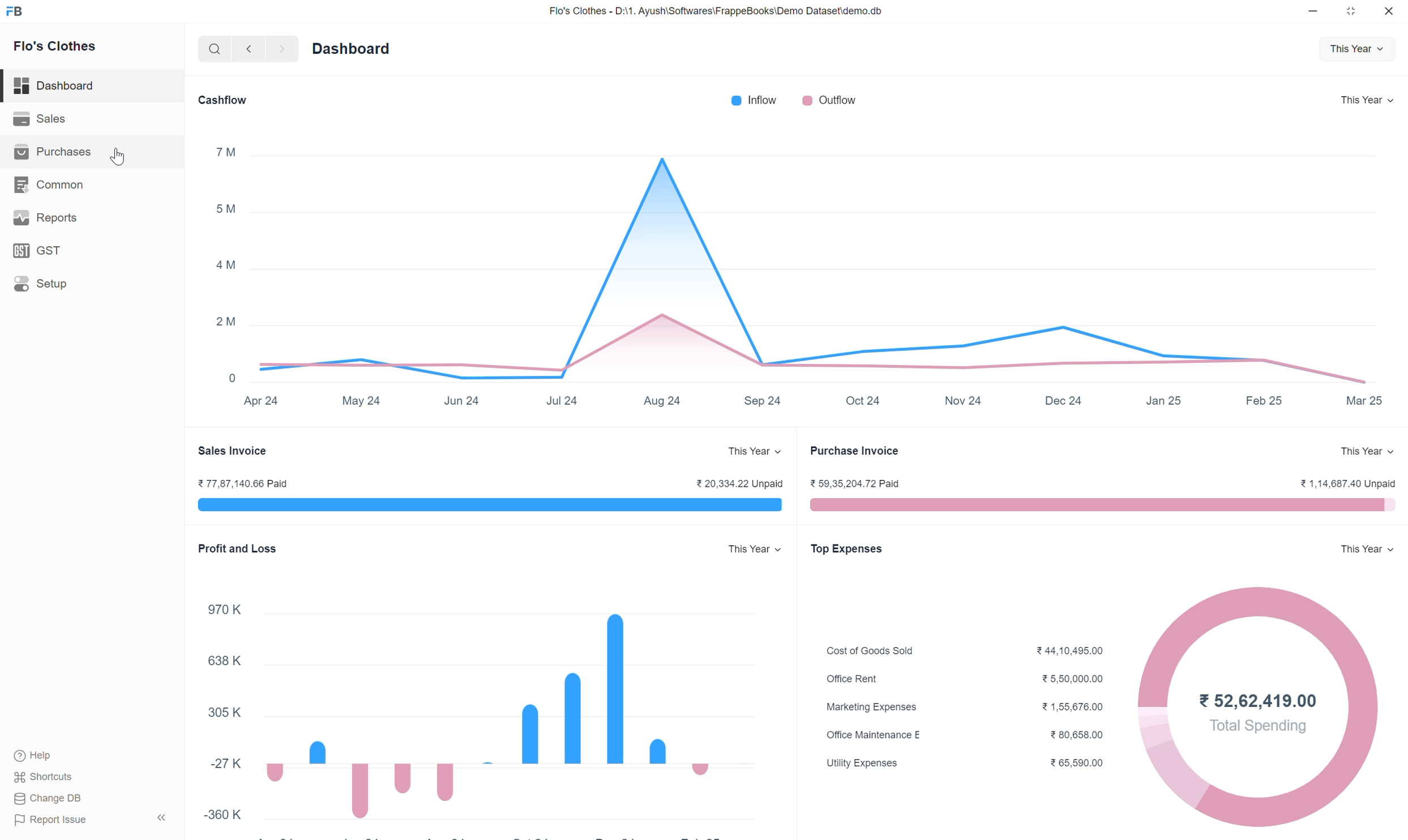 This screenshot has height=840, width=1408. I want to click on 44,10,495.00, so click(1070, 651).